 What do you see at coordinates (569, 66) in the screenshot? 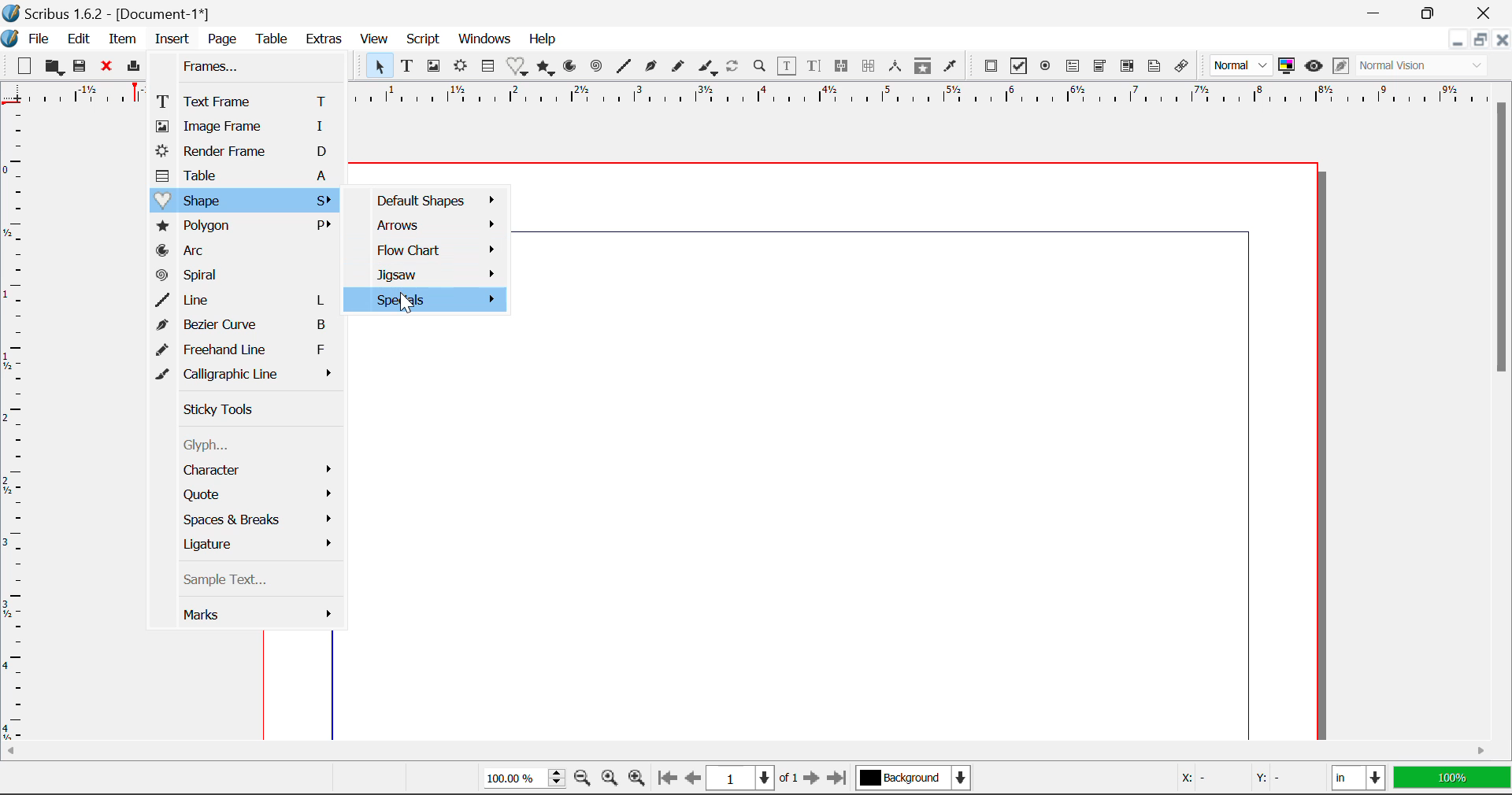
I see `Arcs` at bounding box center [569, 66].